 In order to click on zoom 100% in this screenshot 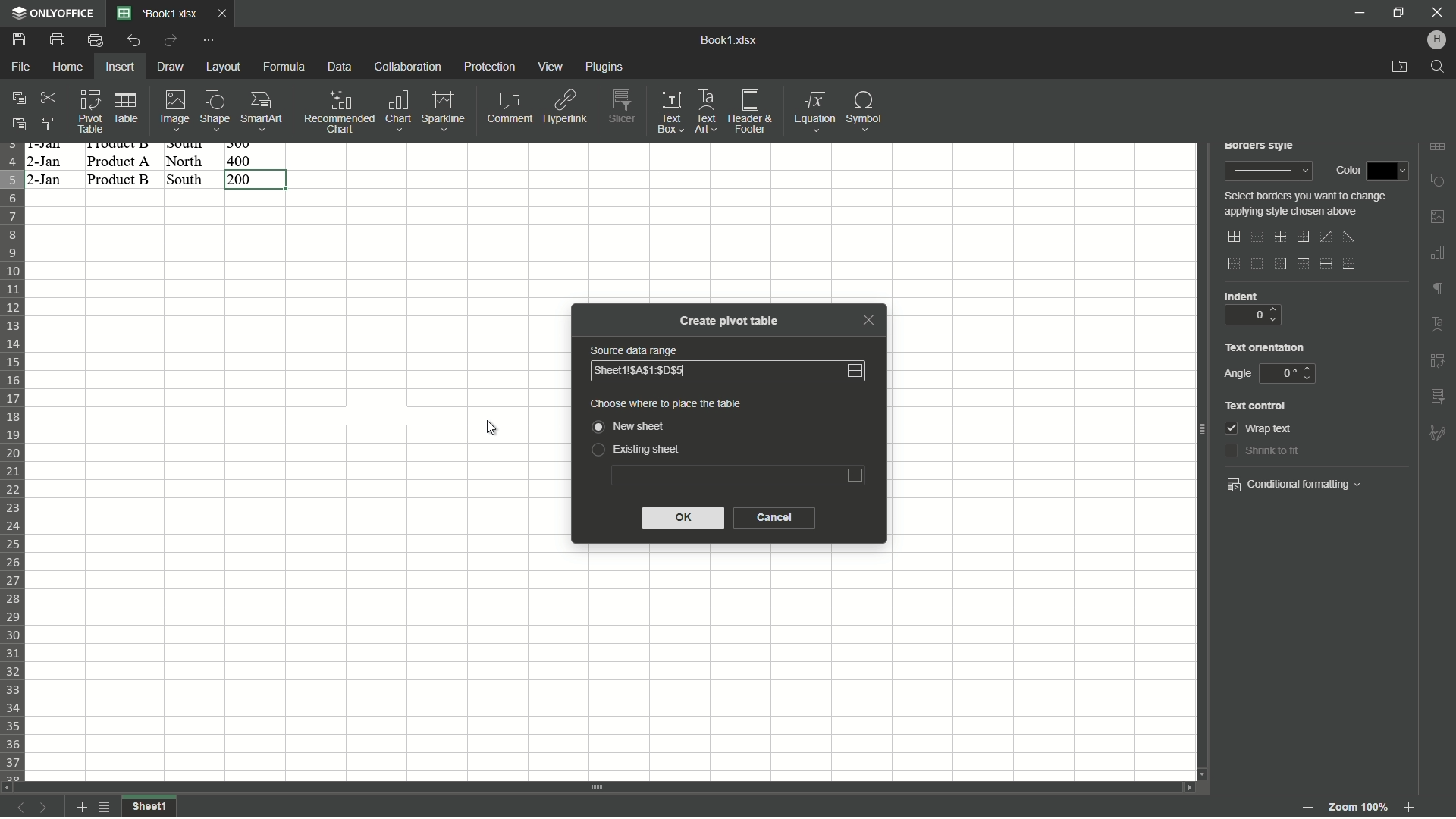, I will do `click(1357, 803)`.